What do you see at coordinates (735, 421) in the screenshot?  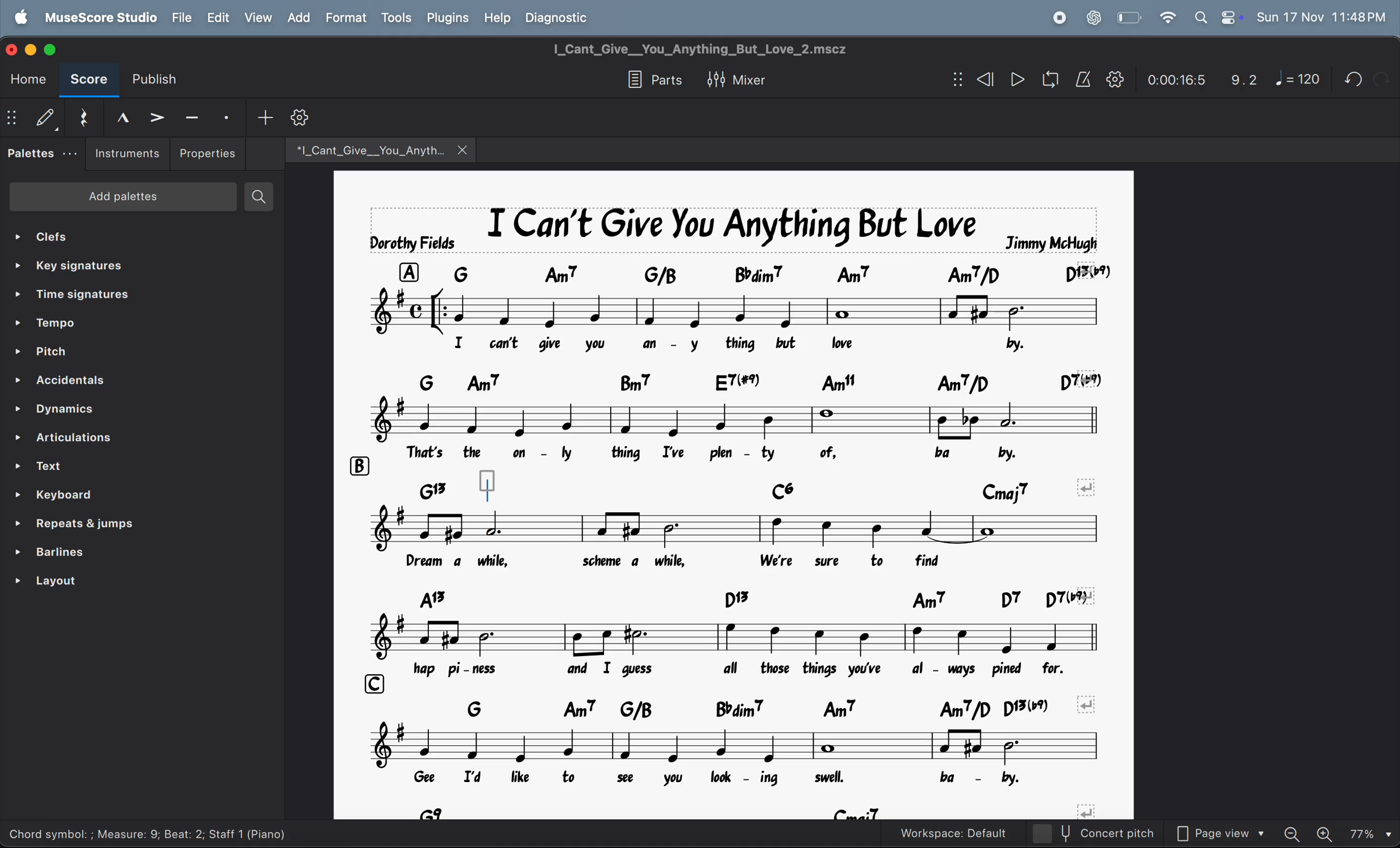 I see `notes` at bounding box center [735, 421].